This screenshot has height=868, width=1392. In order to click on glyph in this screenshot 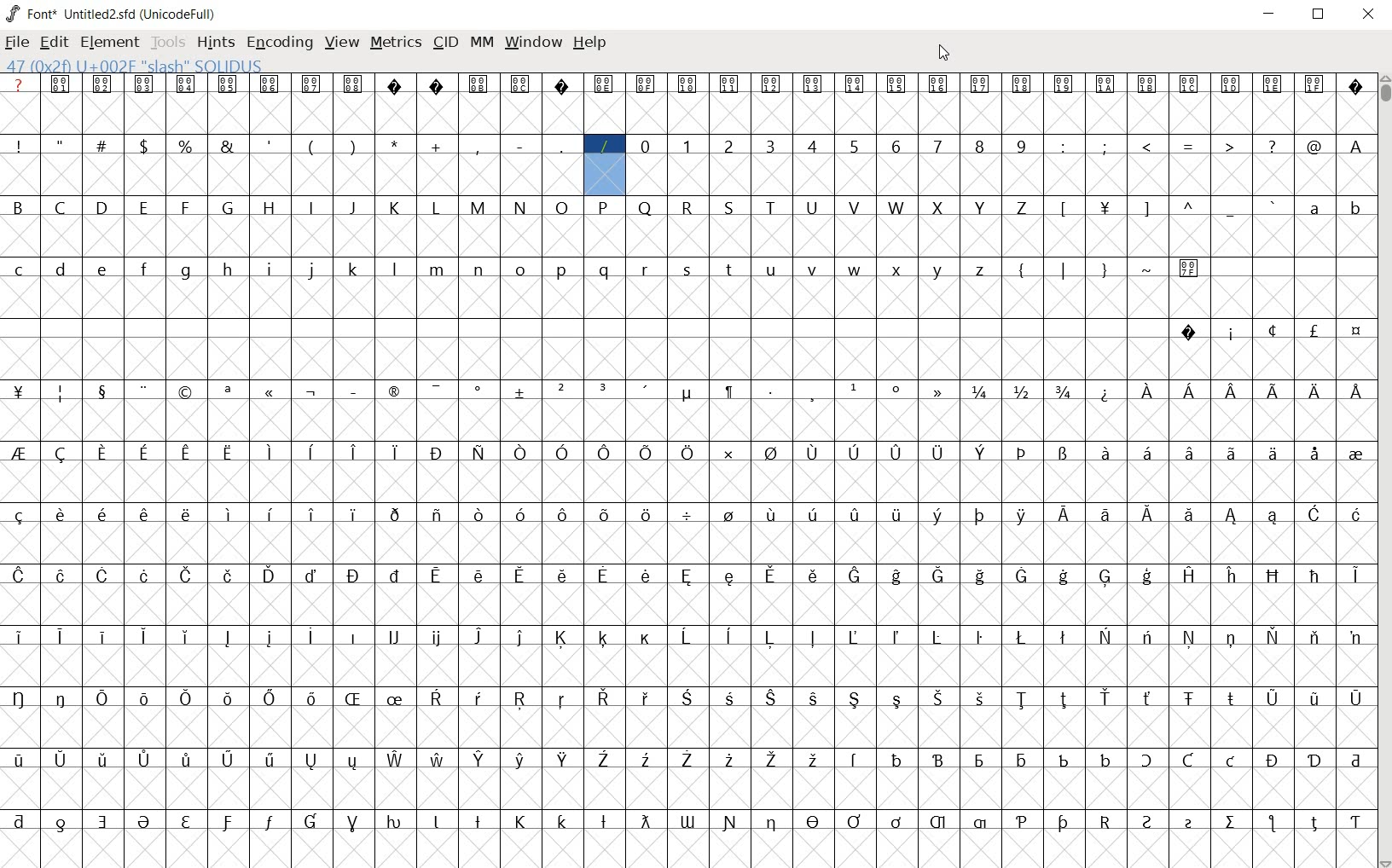, I will do `click(20, 637)`.